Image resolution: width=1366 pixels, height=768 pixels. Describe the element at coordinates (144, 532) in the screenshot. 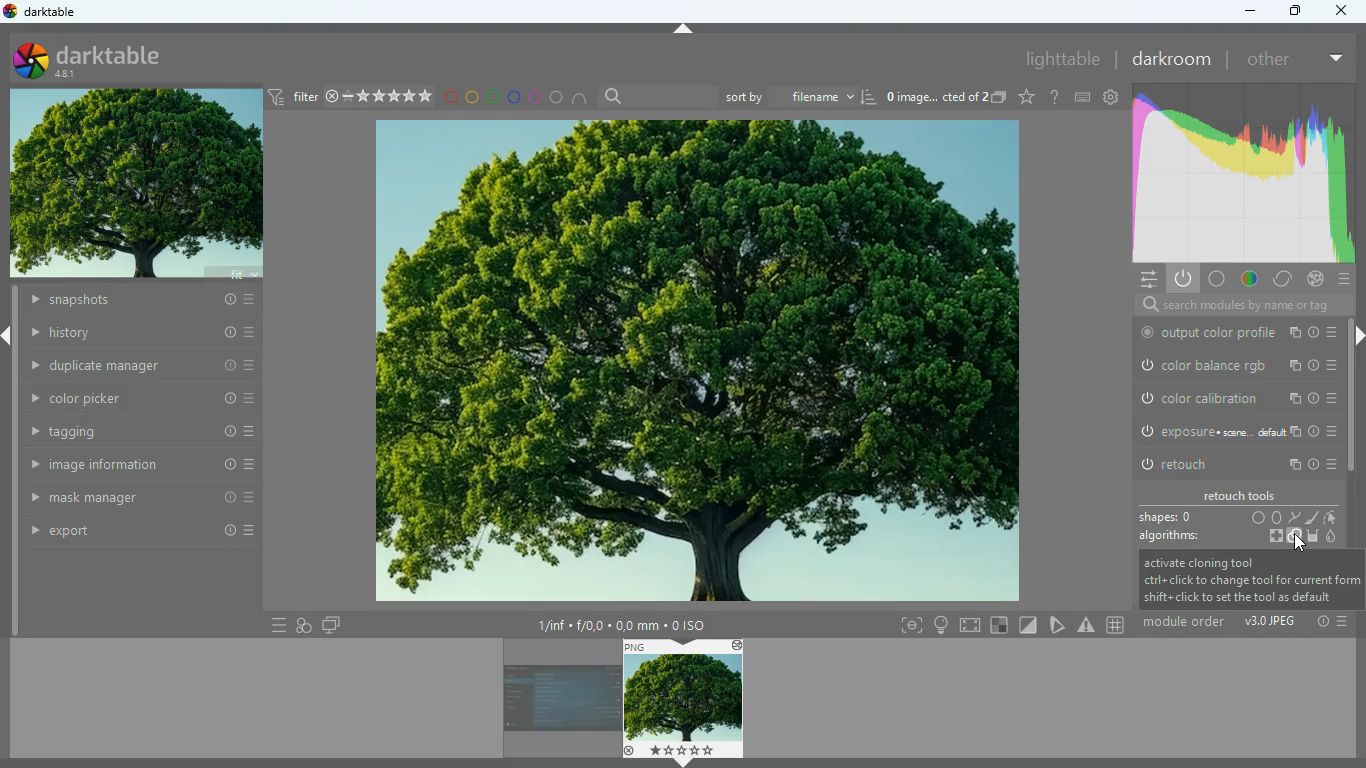

I see `export` at that location.